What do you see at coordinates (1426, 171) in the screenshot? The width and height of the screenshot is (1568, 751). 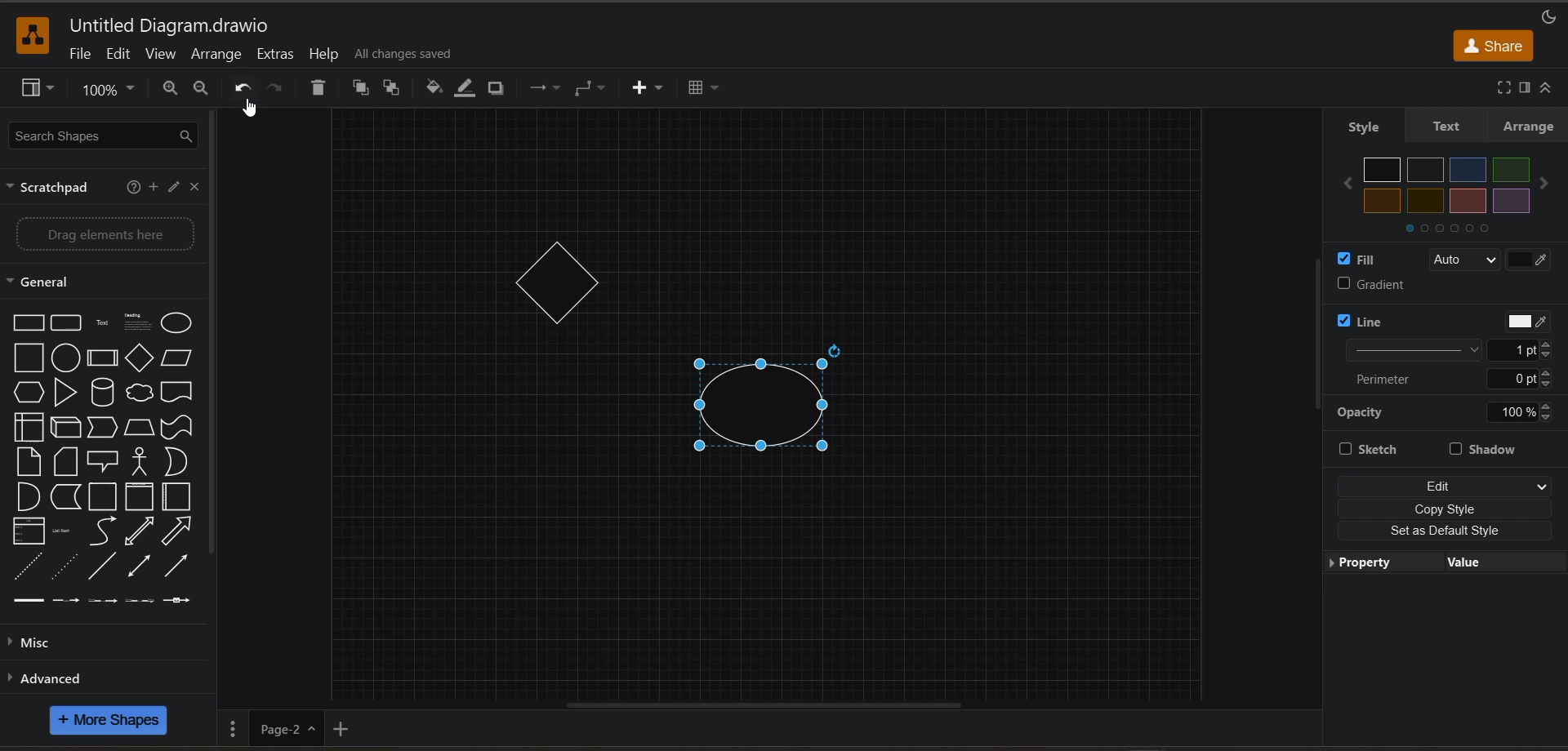 I see `Color 2` at bounding box center [1426, 171].